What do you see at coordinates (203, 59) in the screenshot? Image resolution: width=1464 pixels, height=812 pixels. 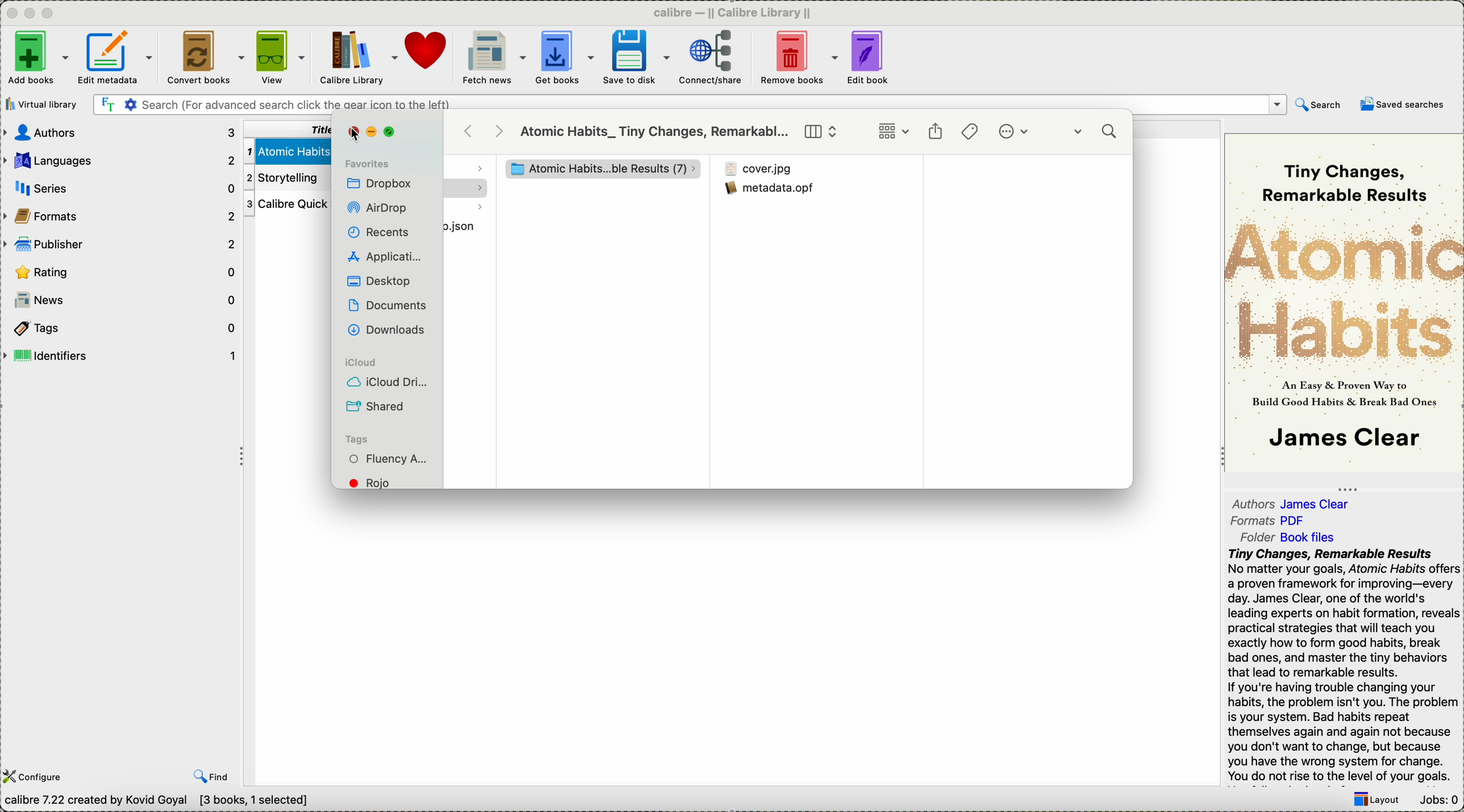 I see `convert books` at bounding box center [203, 59].